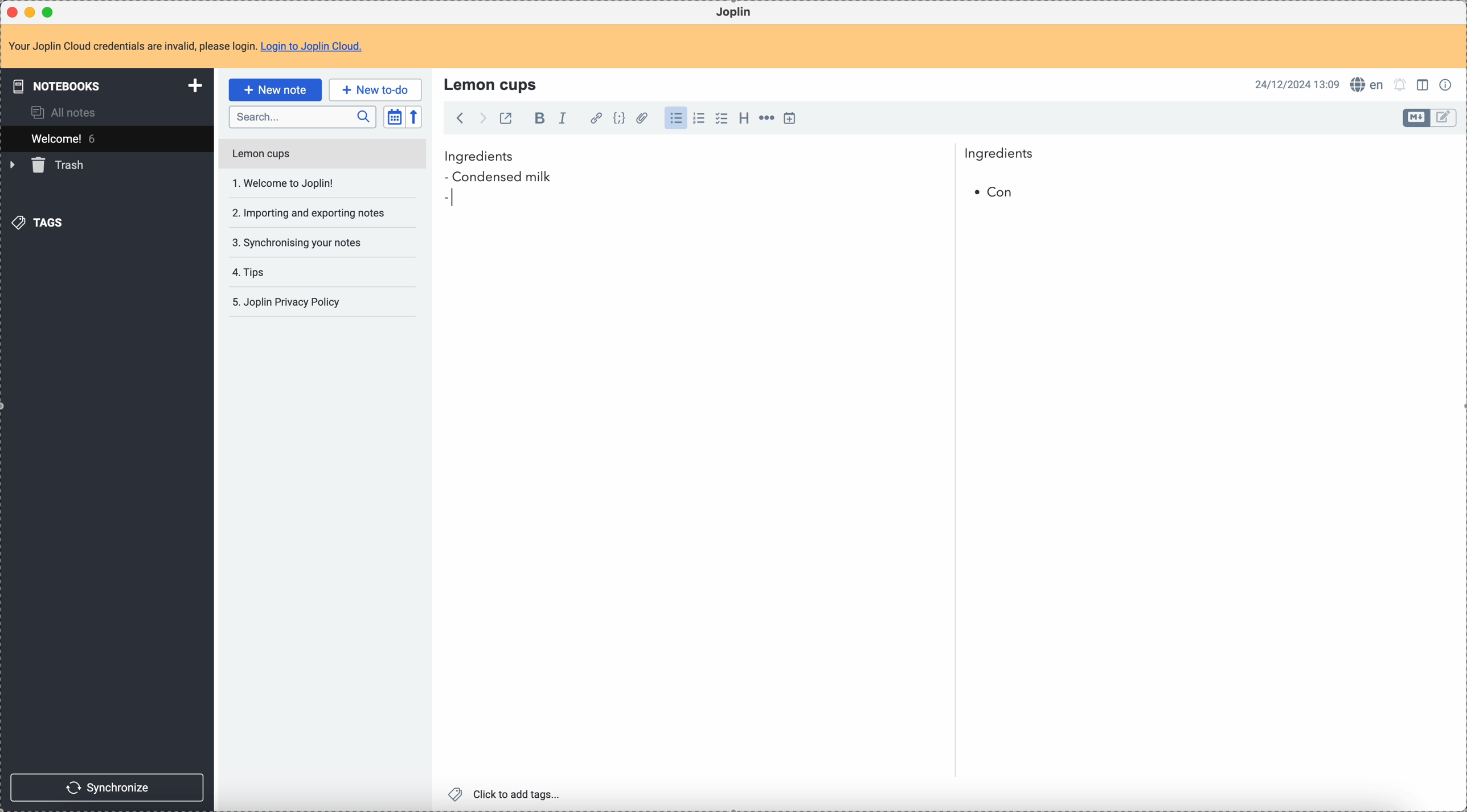 The height and width of the screenshot is (812, 1467). What do you see at coordinates (296, 241) in the screenshot?
I see `synchronising your notes` at bounding box center [296, 241].